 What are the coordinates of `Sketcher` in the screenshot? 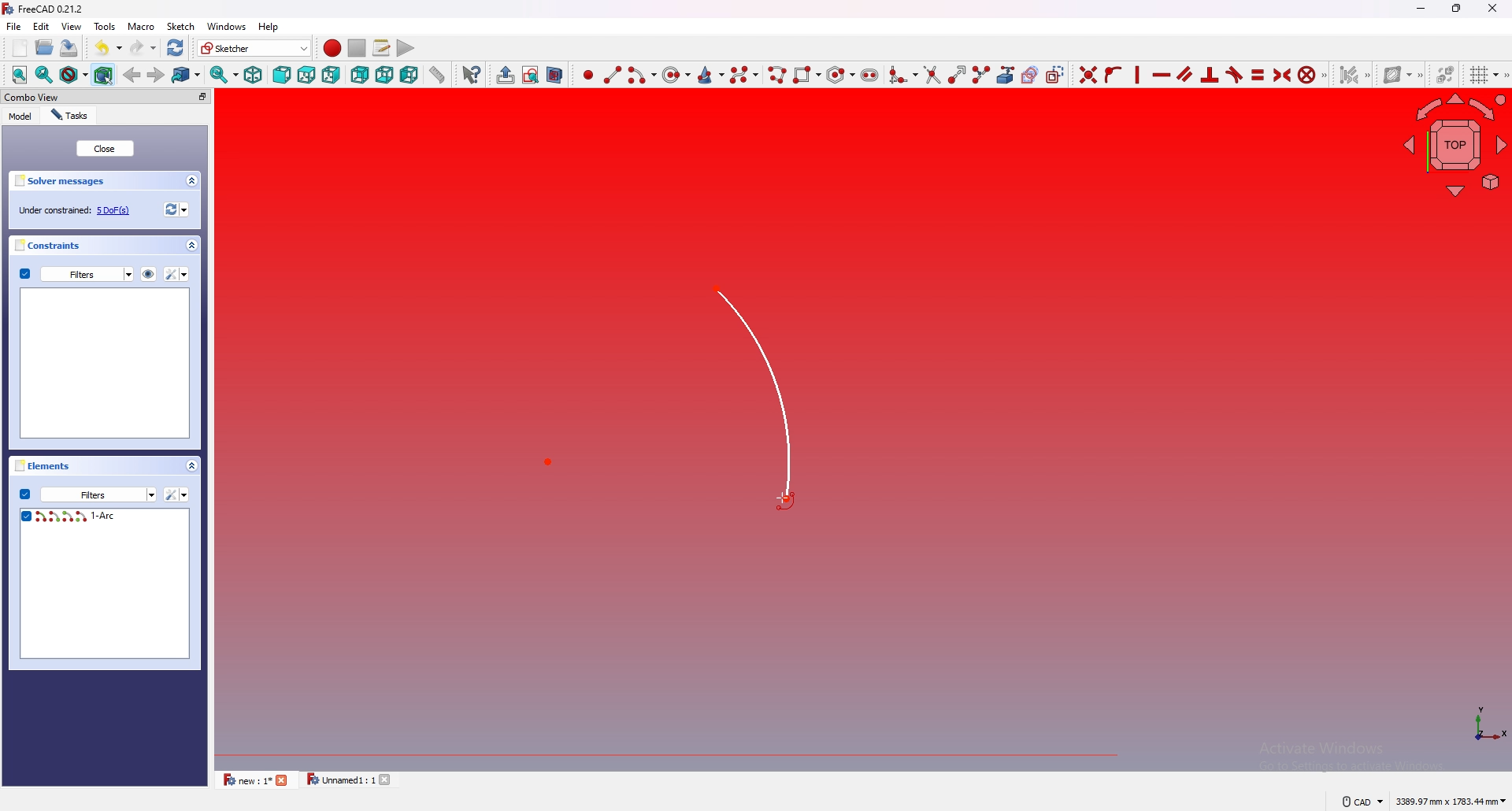 It's located at (254, 48).